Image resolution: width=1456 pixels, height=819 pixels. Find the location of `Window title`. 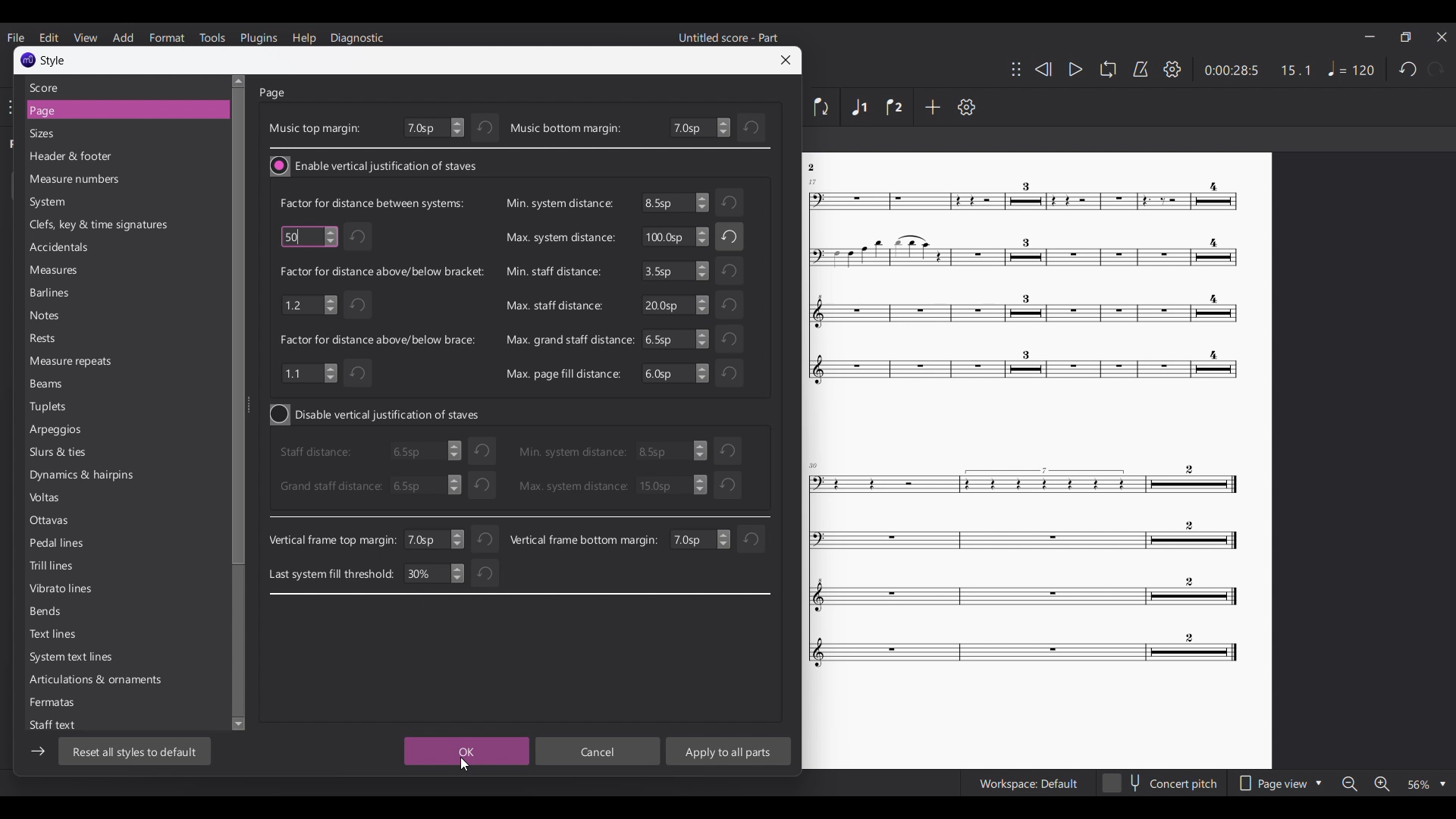

Window title is located at coordinates (42, 60).